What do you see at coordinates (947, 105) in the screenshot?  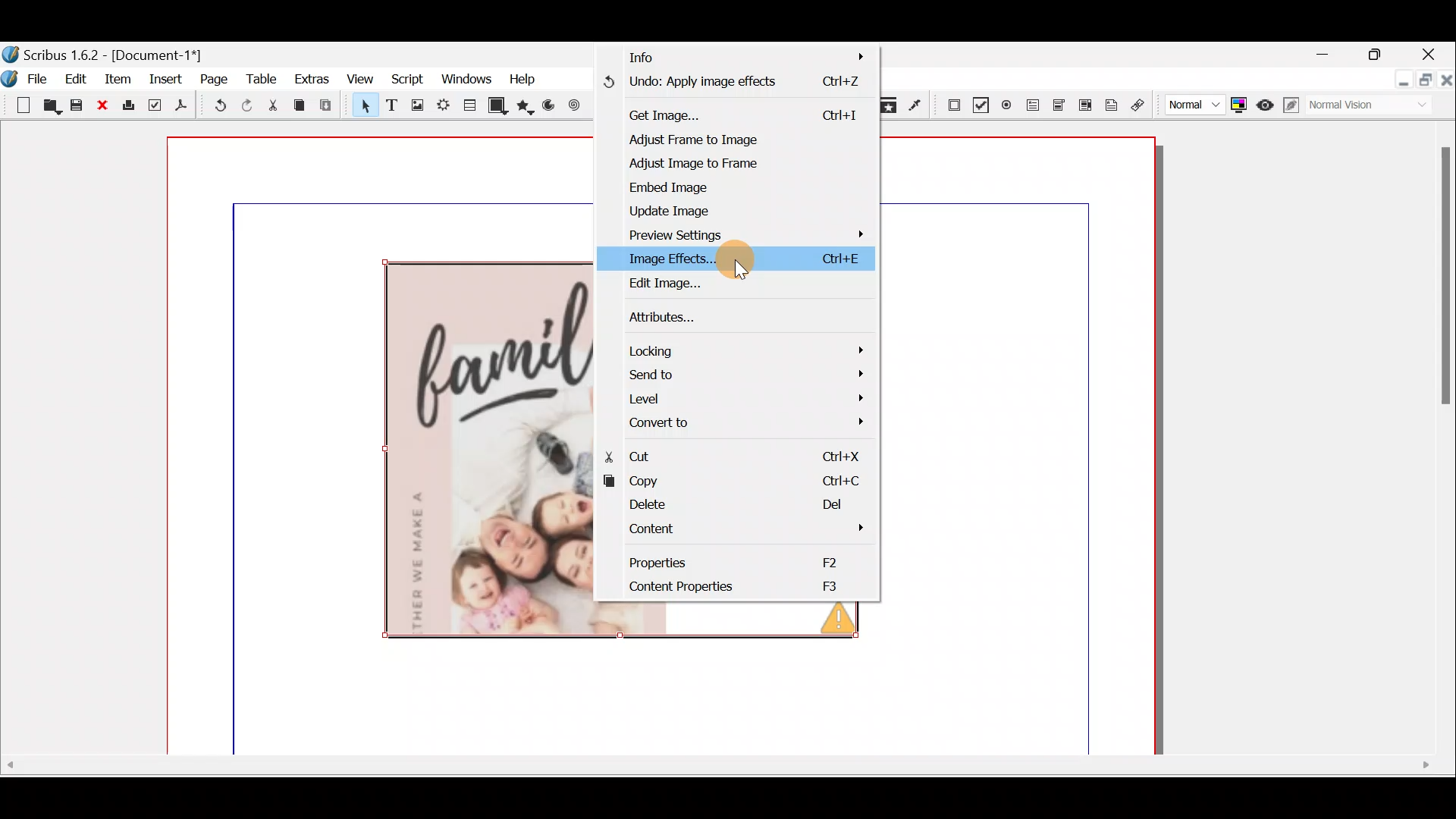 I see `PDF push button` at bounding box center [947, 105].